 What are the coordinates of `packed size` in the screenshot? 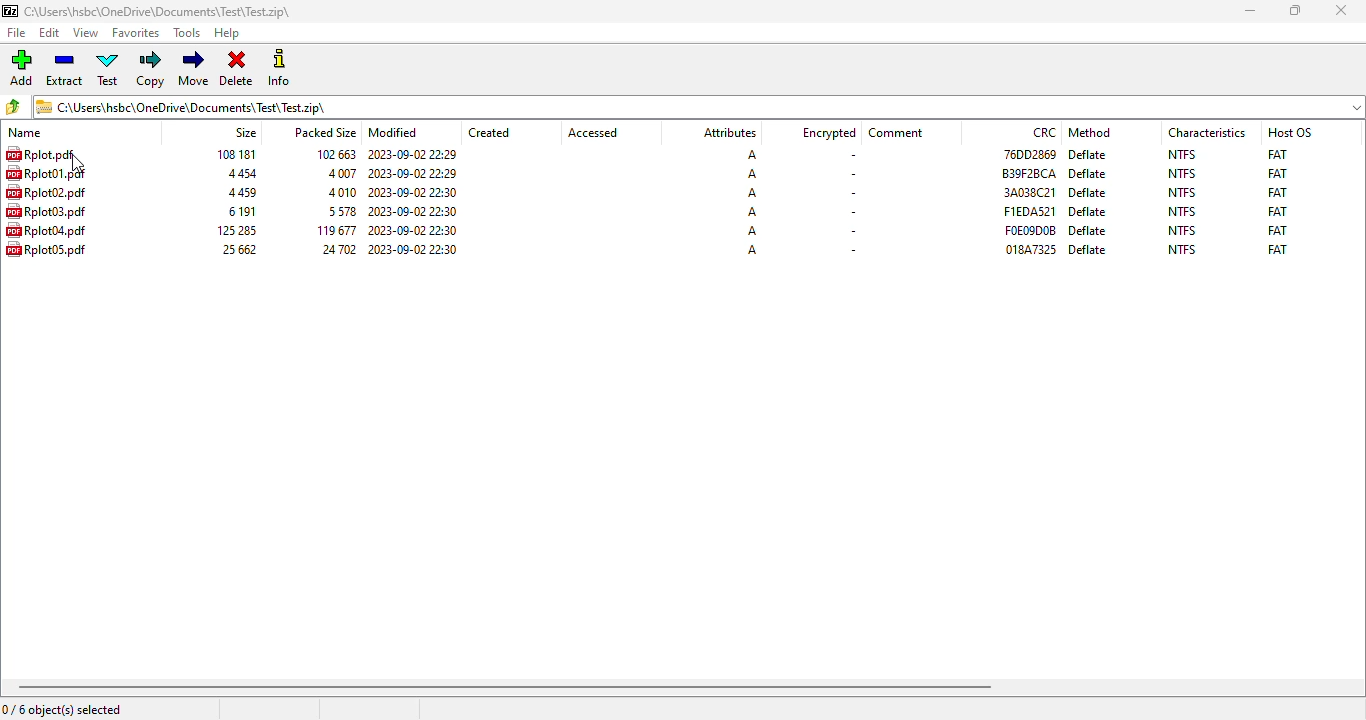 It's located at (335, 249).